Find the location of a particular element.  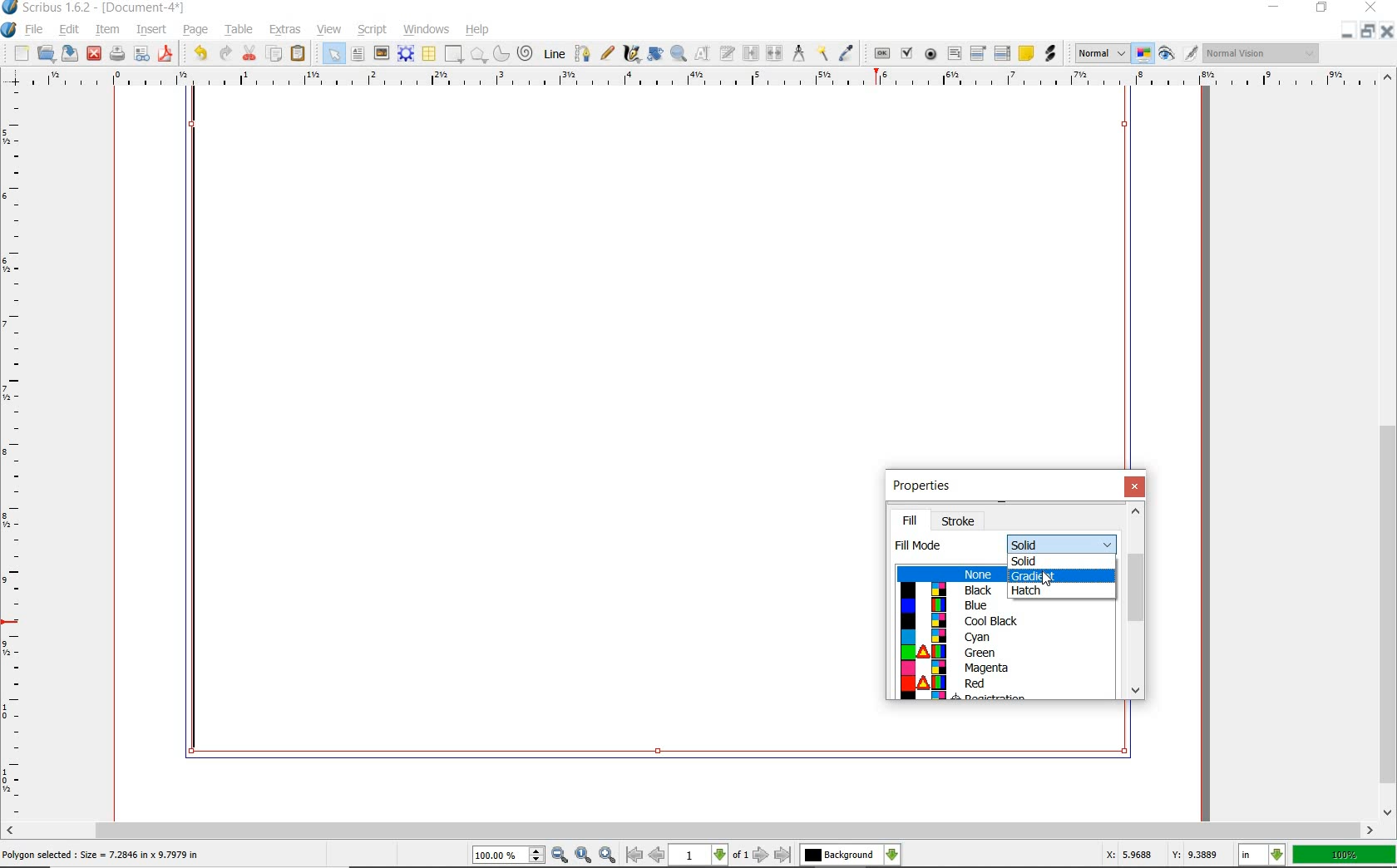

restore is located at coordinates (1321, 9).